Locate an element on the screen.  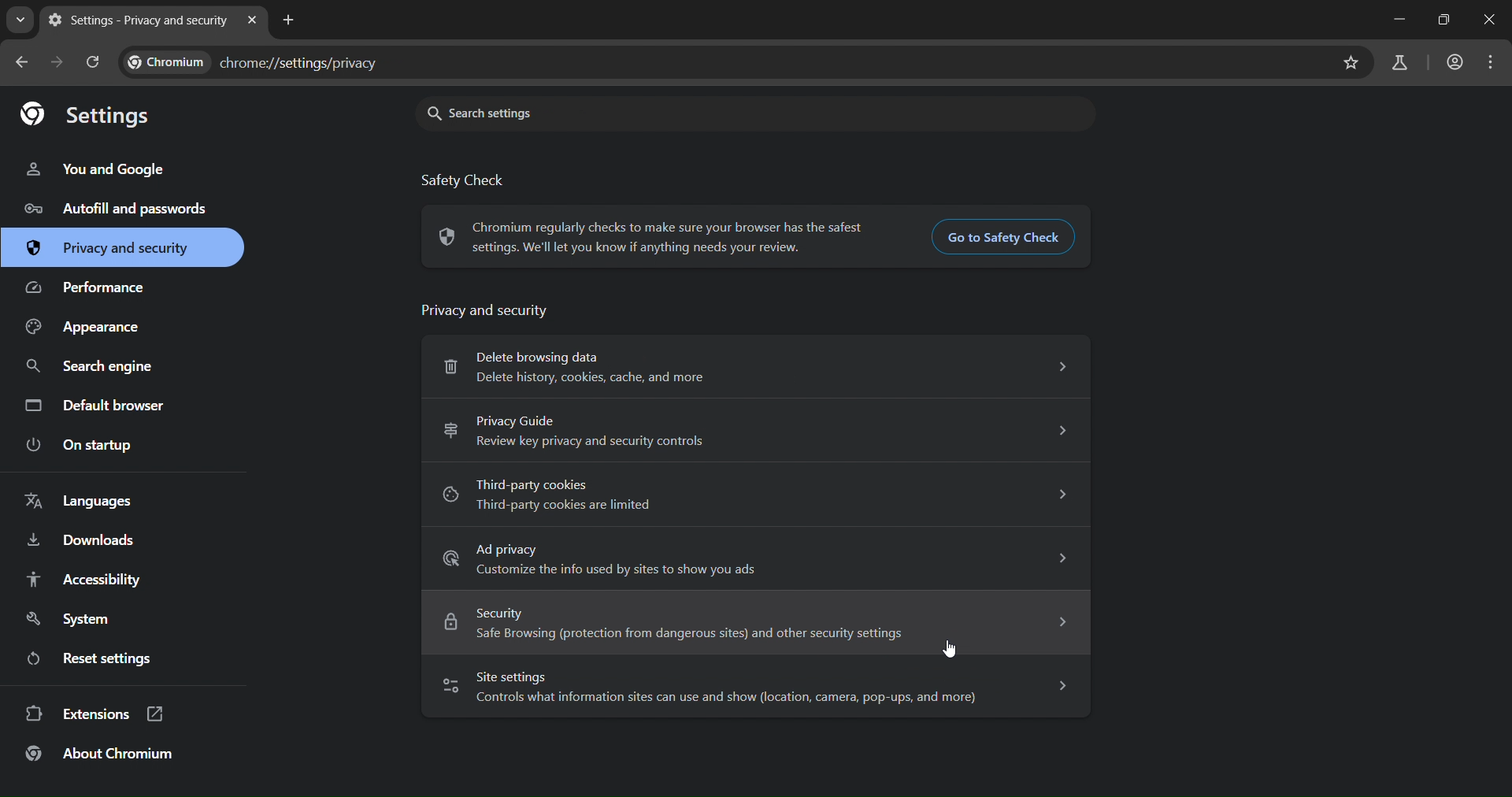
go back one page is located at coordinates (22, 65).